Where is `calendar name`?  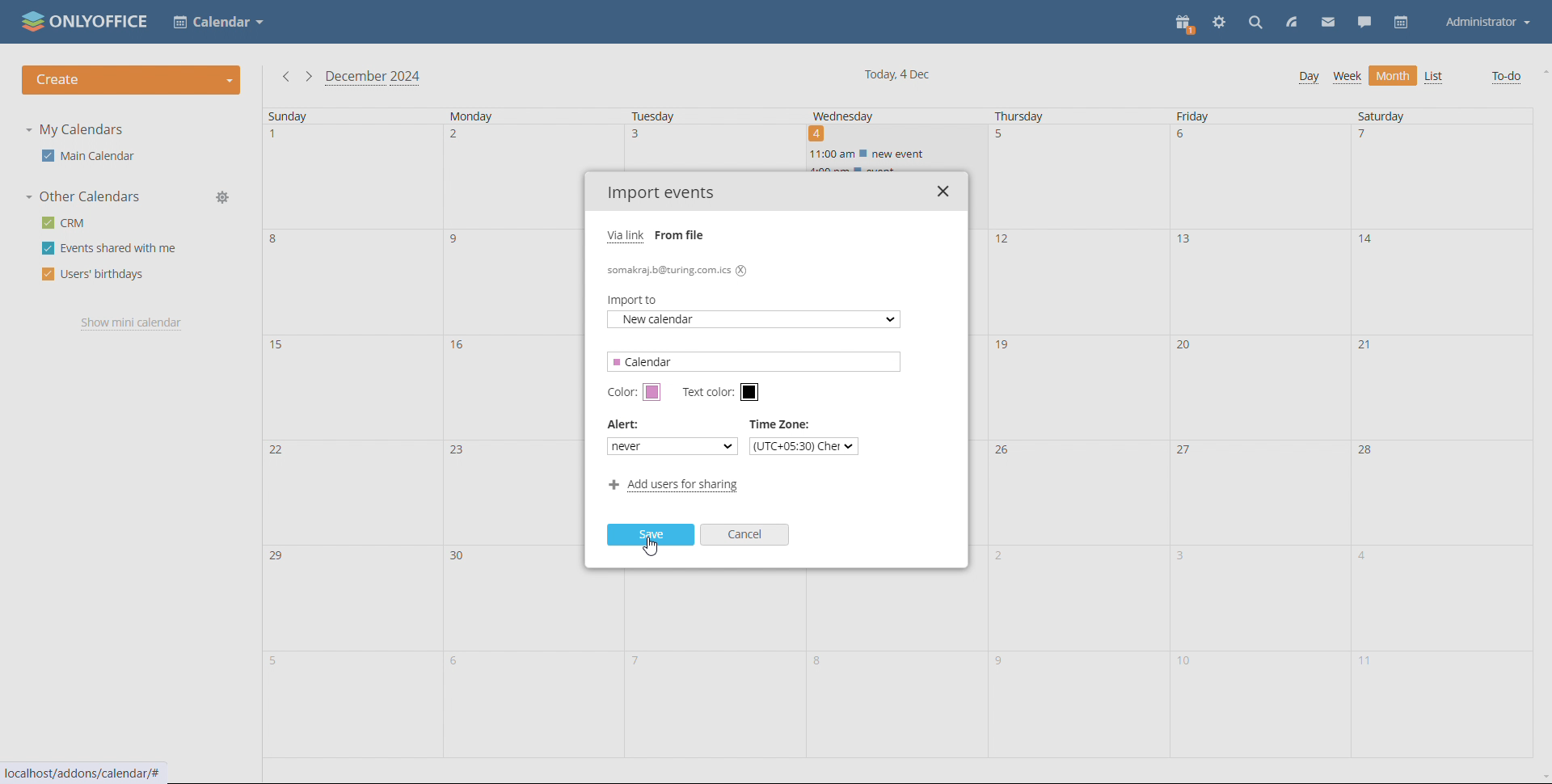 calendar name is located at coordinates (757, 362).